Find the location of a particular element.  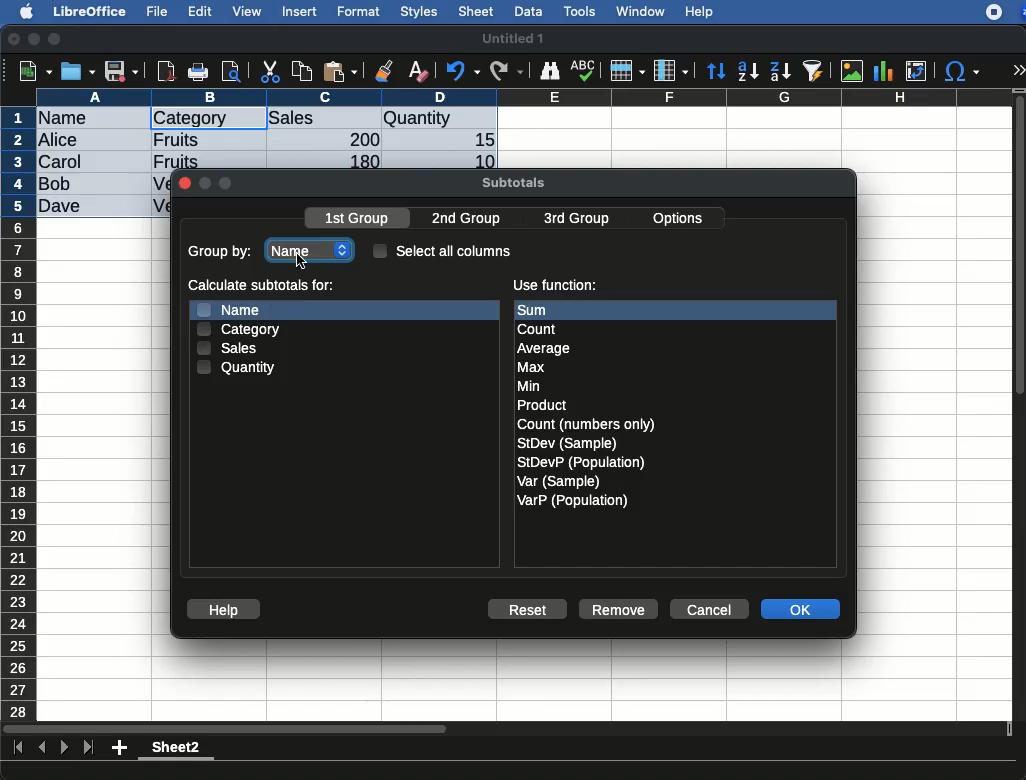

first sheet is located at coordinates (20, 748).